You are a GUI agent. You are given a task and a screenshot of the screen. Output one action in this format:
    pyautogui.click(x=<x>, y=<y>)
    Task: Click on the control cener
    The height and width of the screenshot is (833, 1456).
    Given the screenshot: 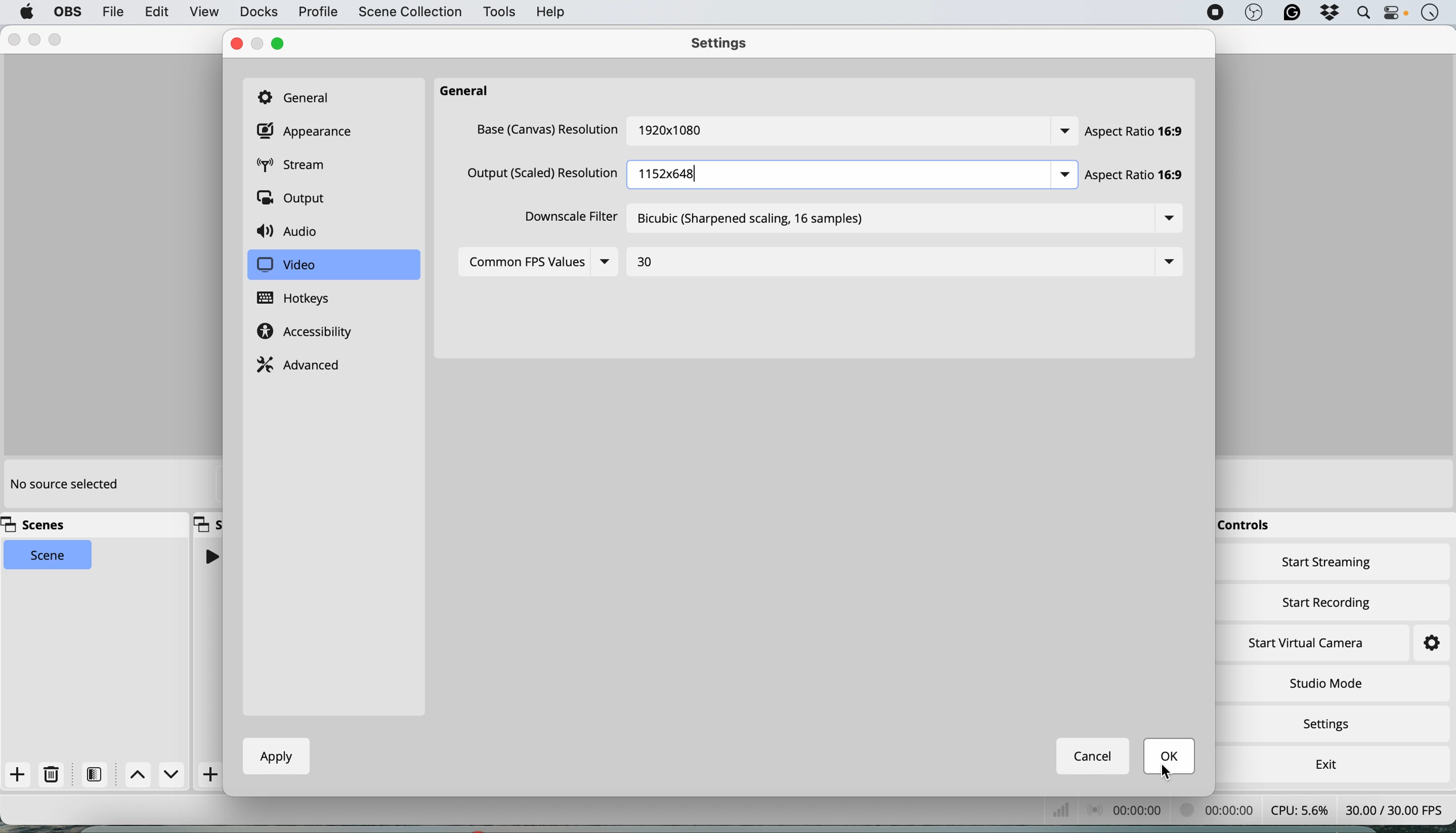 What is the action you would take?
    pyautogui.click(x=1394, y=15)
    